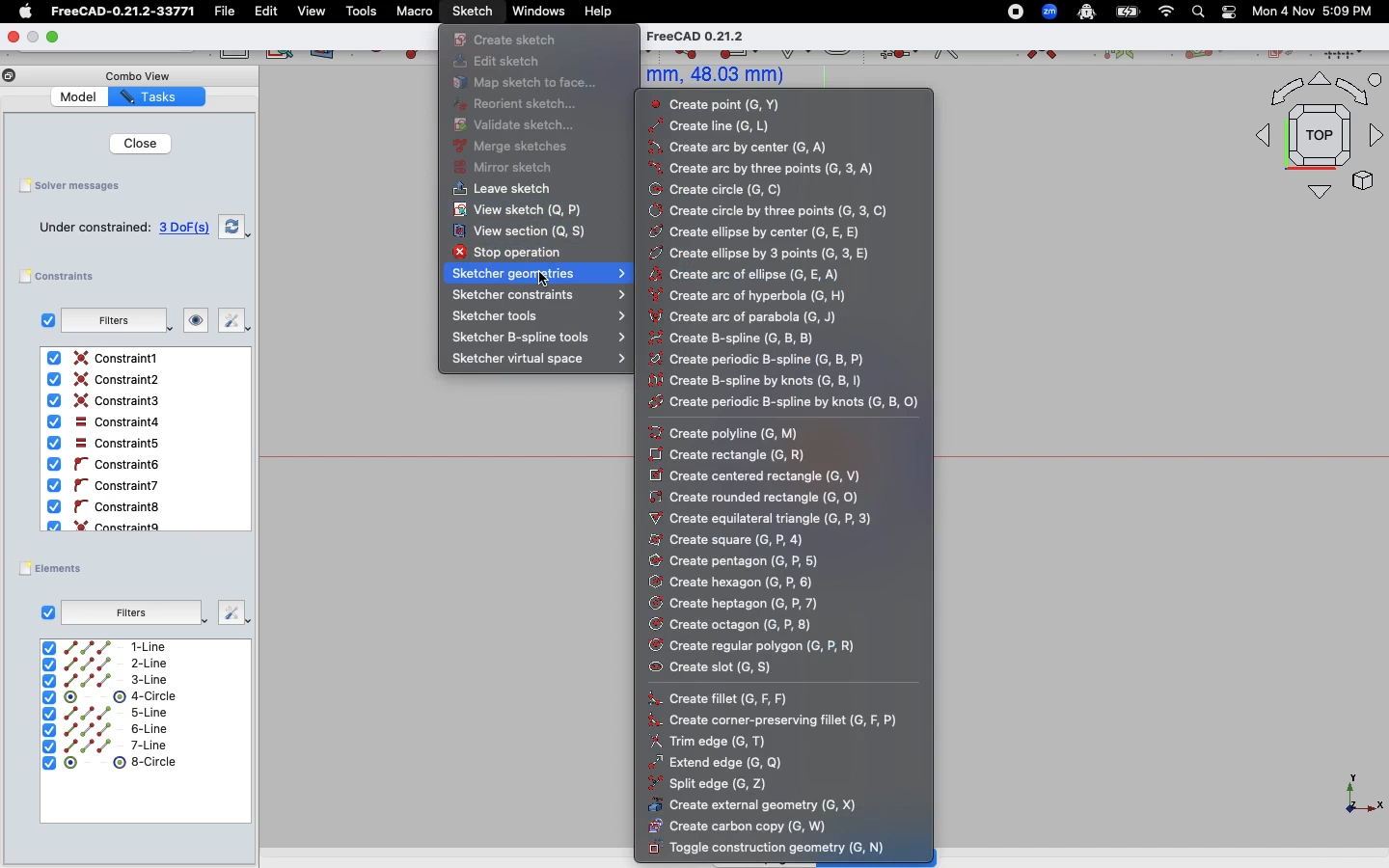 Image resolution: width=1389 pixels, height=868 pixels. I want to click on 6-line, so click(104, 730).